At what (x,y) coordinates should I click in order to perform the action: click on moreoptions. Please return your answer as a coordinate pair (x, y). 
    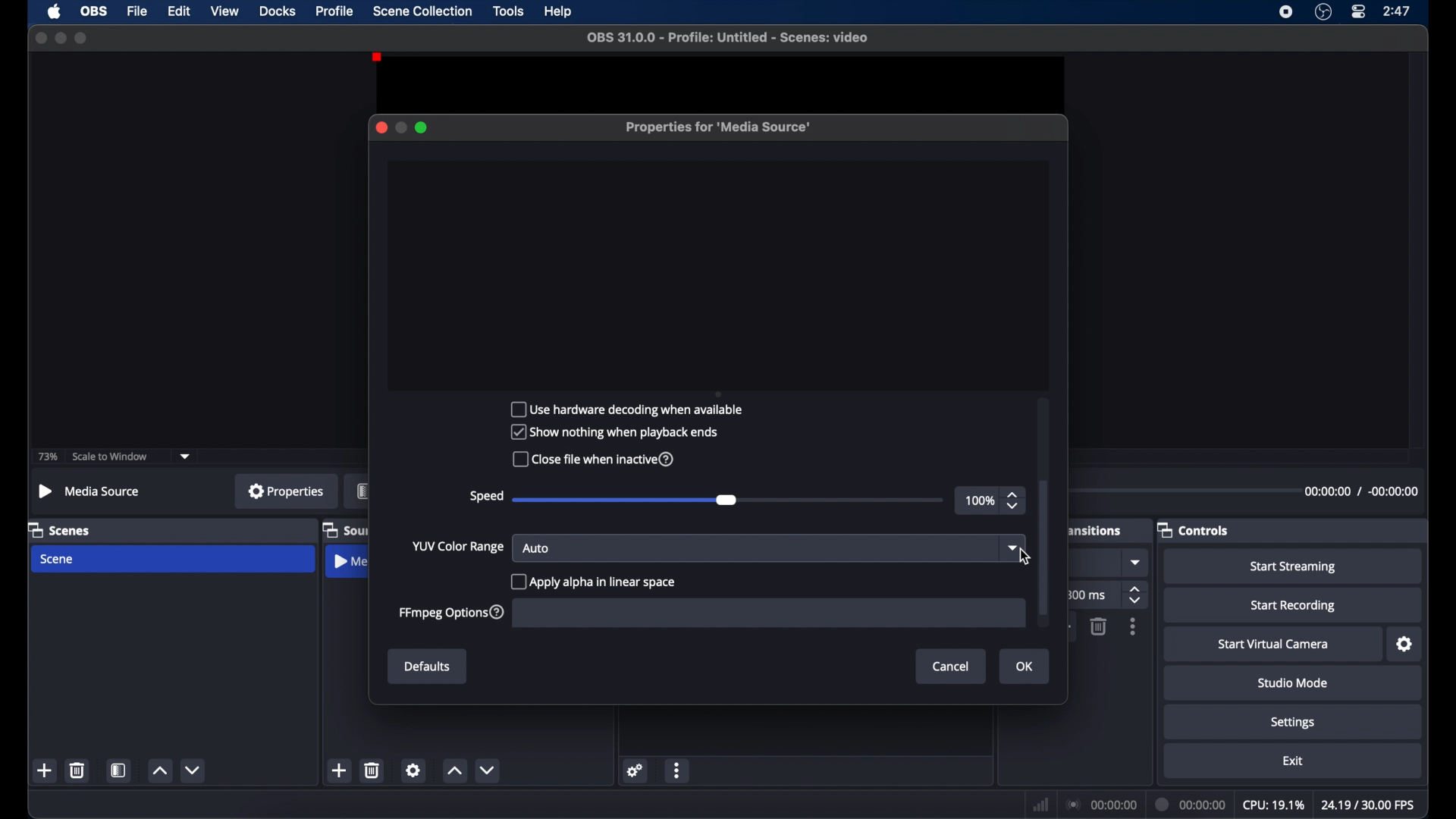
    Looking at the image, I should click on (1133, 626).